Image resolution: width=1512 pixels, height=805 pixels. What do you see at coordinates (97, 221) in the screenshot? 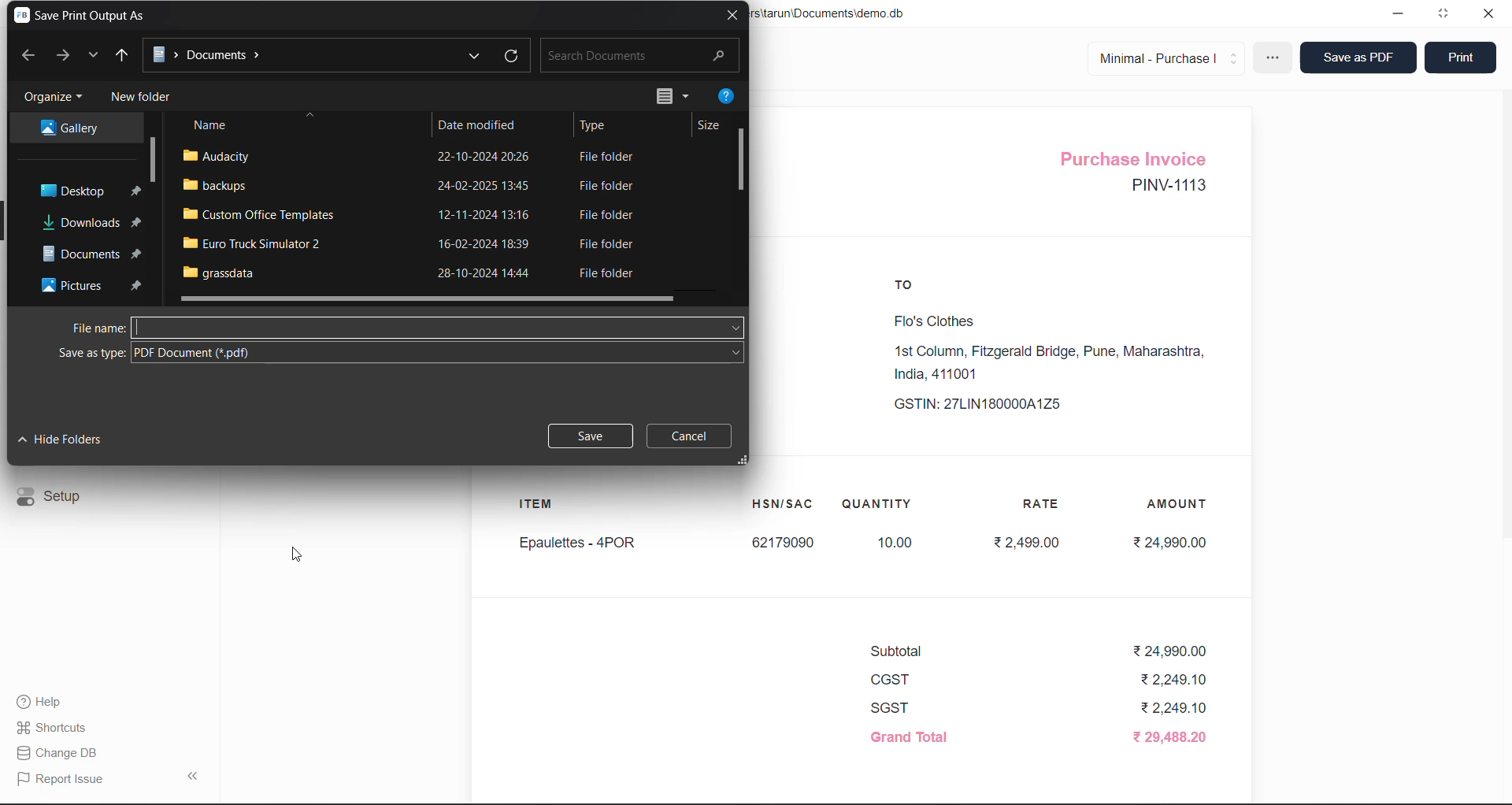
I see `Downloads` at bounding box center [97, 221].